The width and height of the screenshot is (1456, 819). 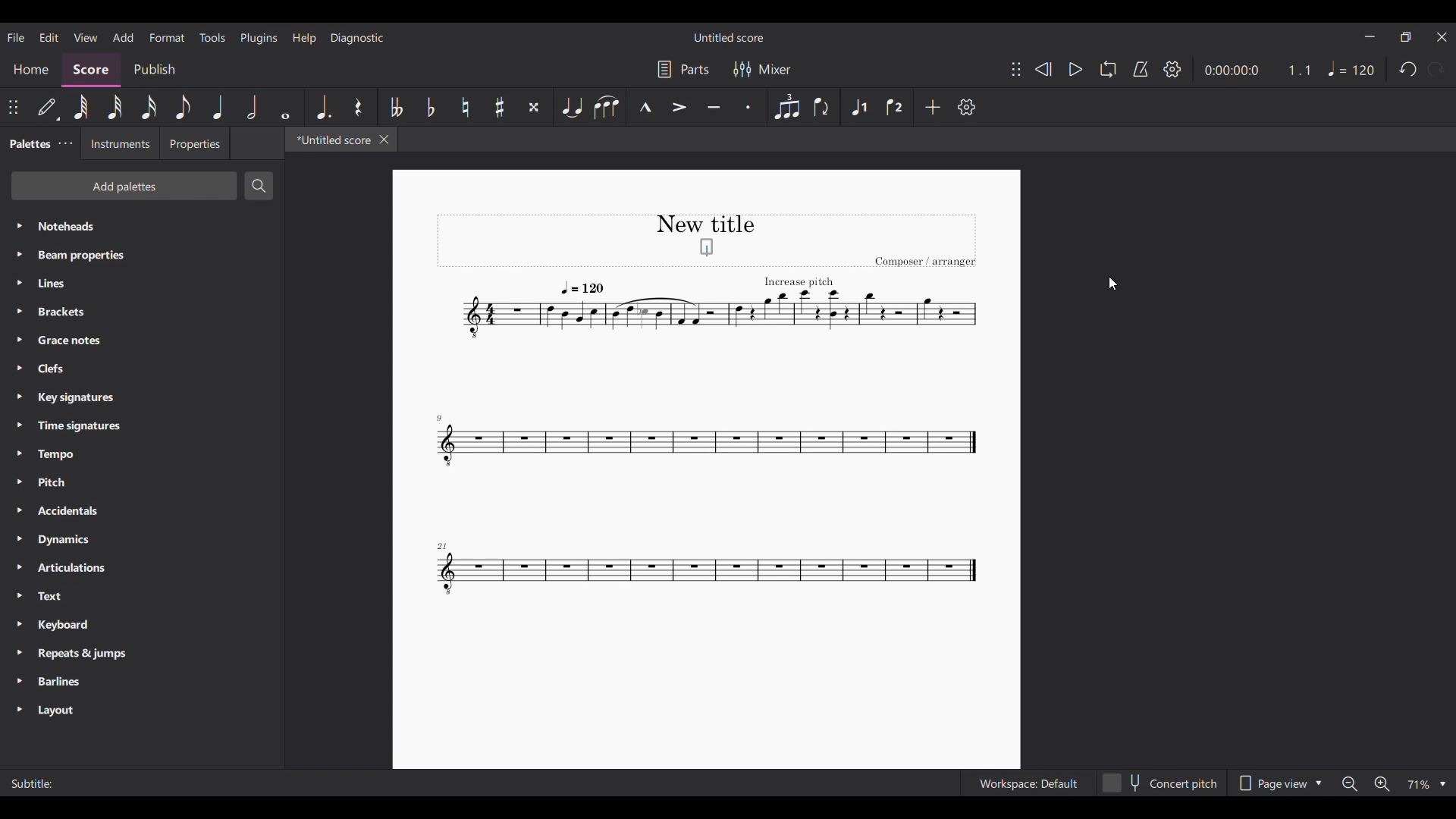 I want to click on Minimize, so click(x=1370, y=36).